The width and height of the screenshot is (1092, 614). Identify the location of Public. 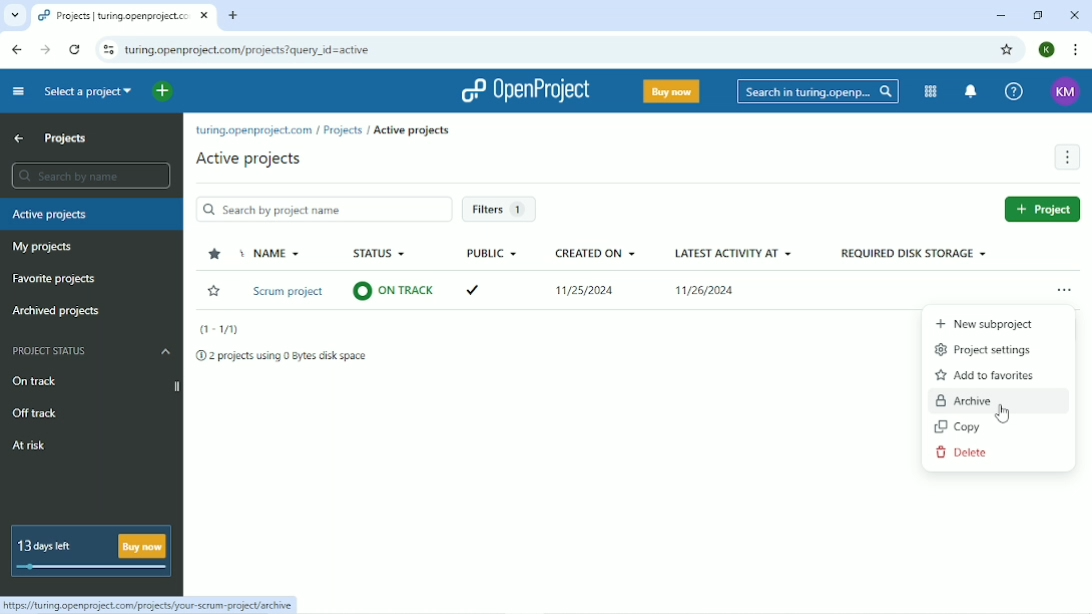
(492, 253).